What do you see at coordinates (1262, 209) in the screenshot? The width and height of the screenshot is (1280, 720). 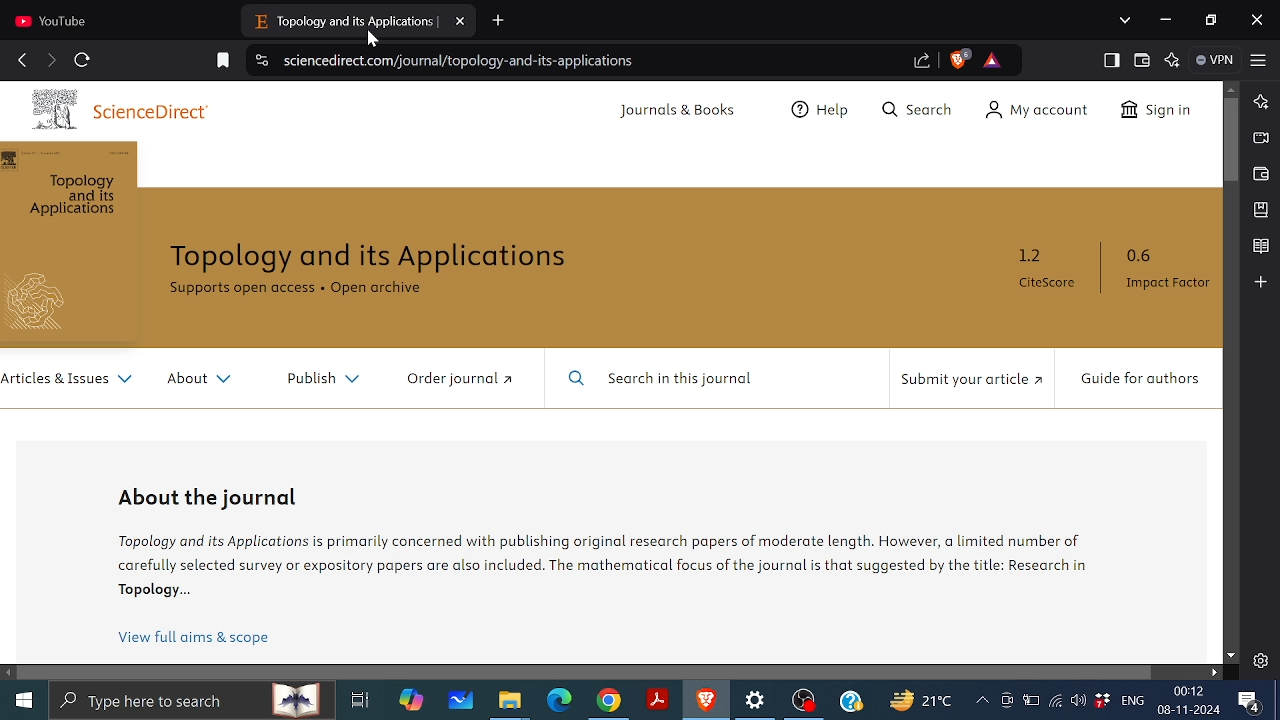 I see `Bookmarks` at bounding box center [1262, 209].